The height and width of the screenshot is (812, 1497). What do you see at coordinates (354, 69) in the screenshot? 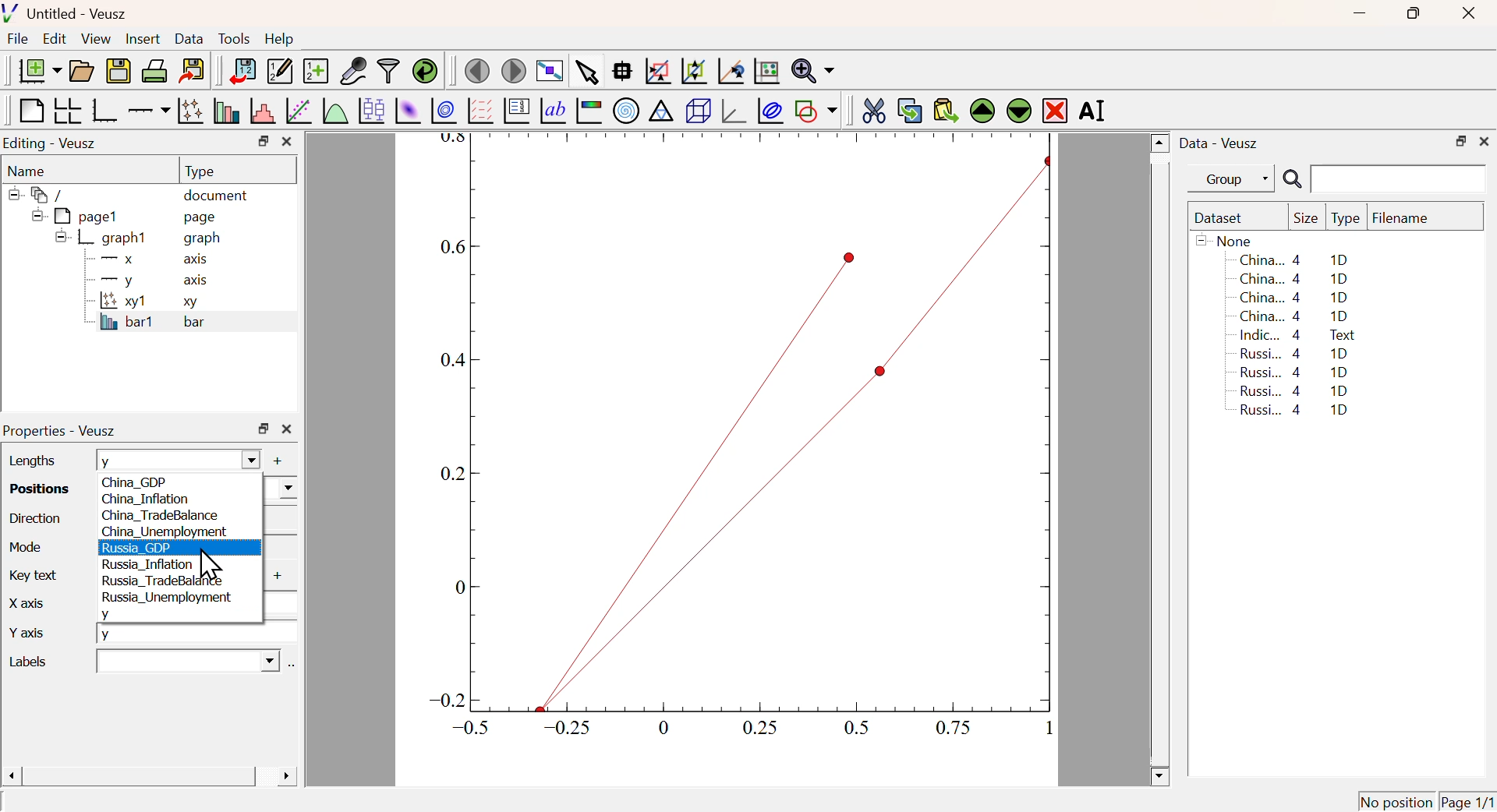
I see `Capture Remote Data` at bounding box center [354, 69].